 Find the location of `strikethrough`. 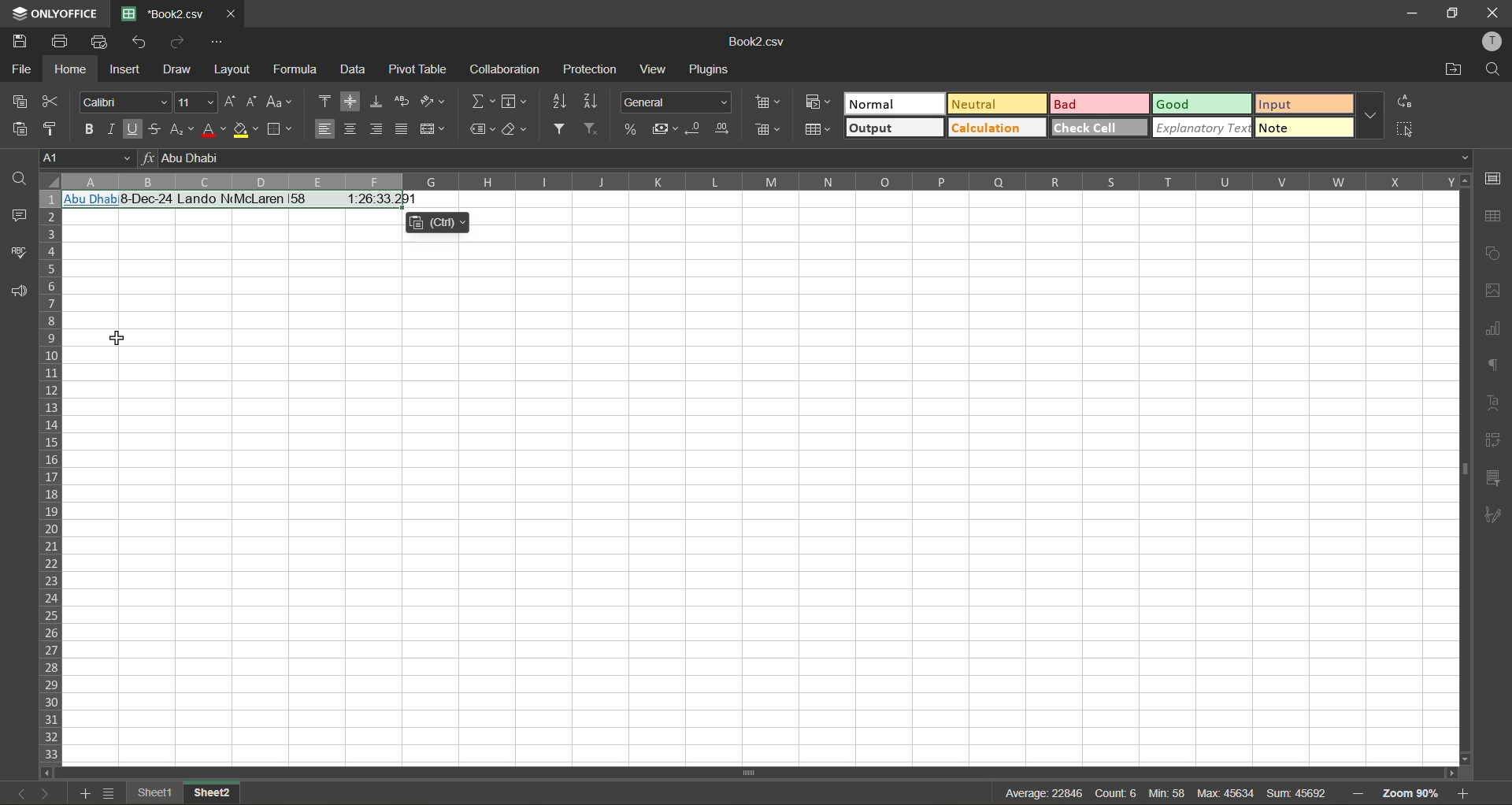

strikethrough is located at coordinates (154, 130).